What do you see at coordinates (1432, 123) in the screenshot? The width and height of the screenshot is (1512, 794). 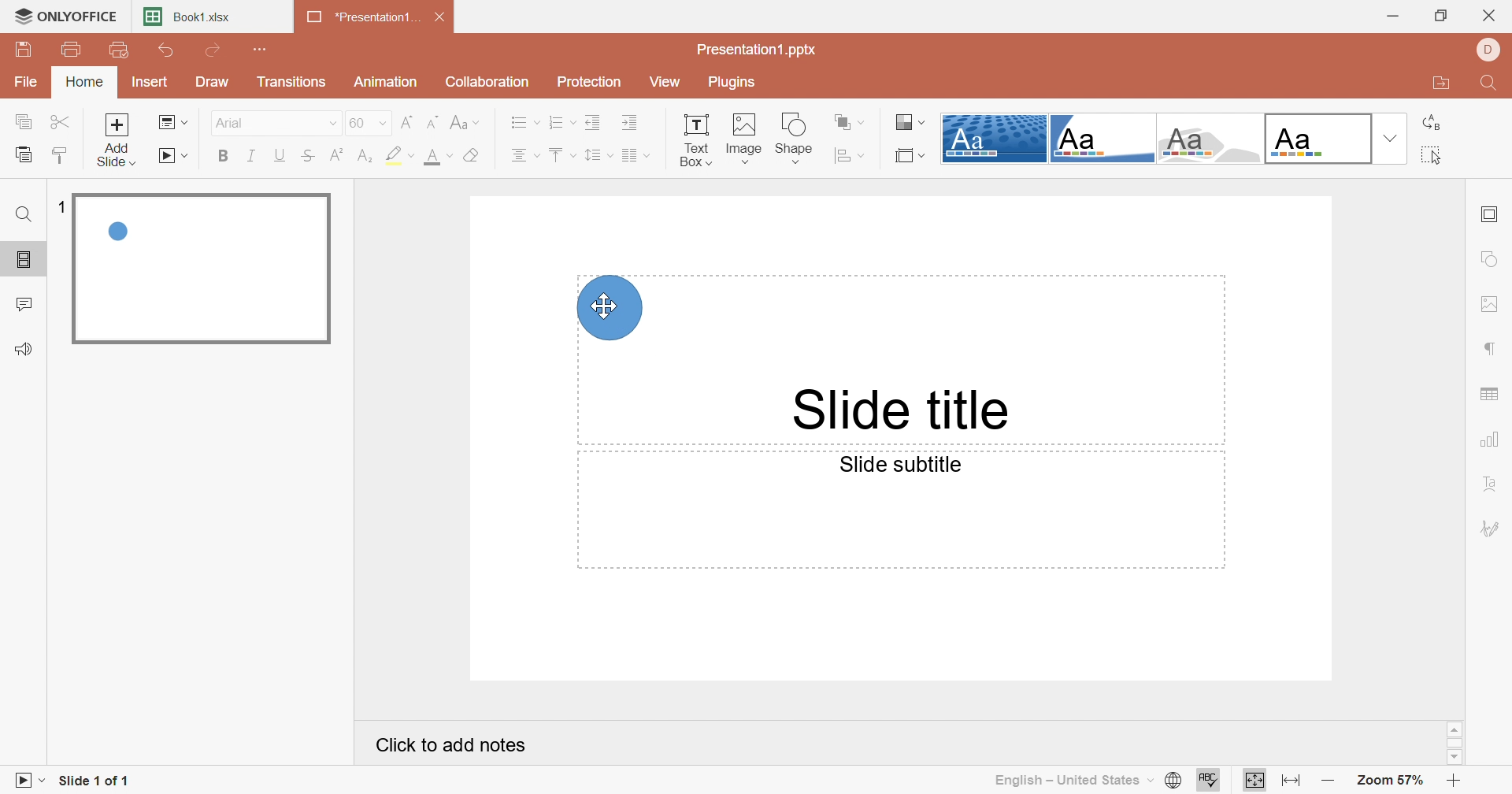 I see `Replace` at bounding box center [1432, 123].